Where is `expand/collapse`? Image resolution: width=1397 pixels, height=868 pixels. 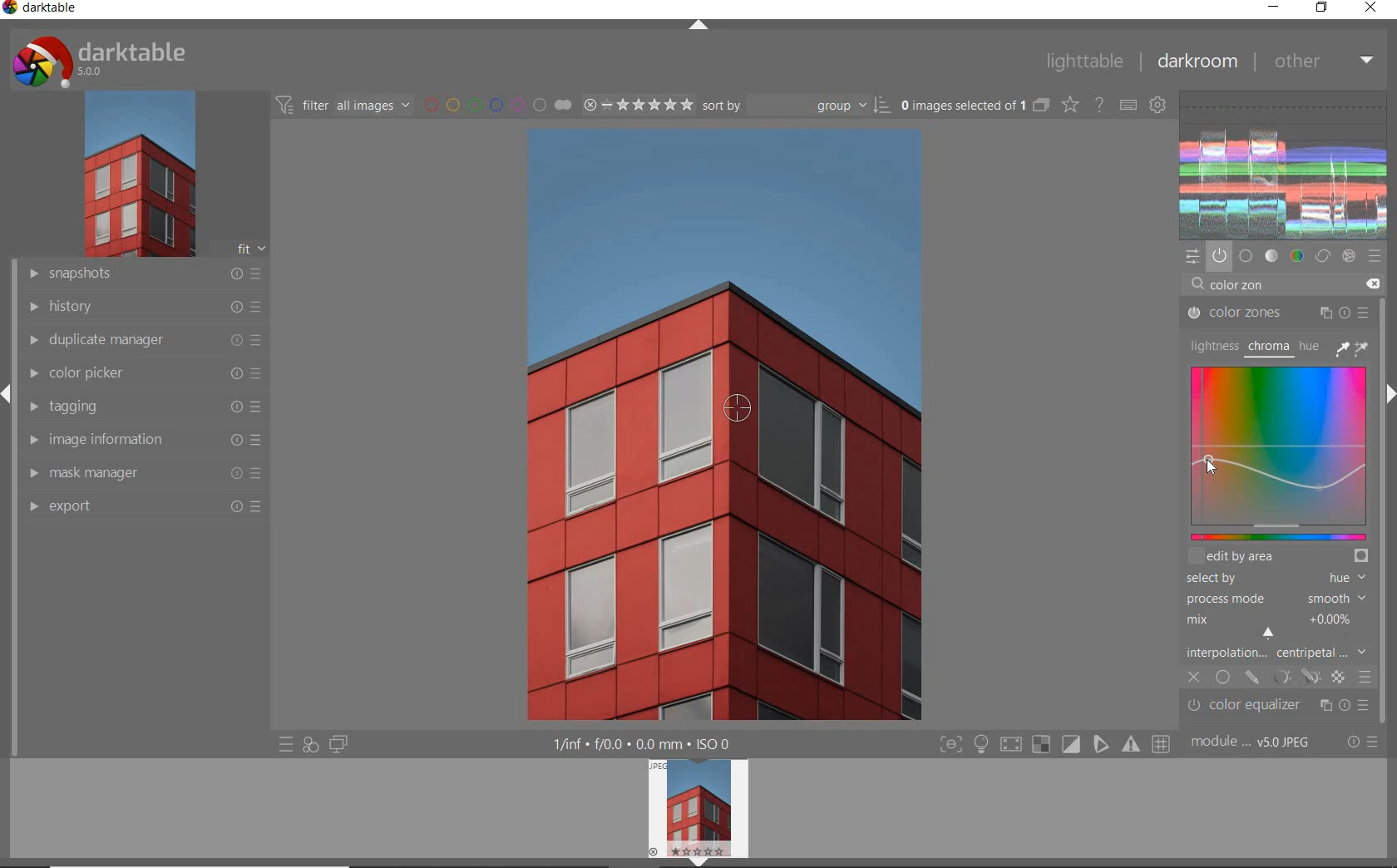
expand/collapse is located at coordinates (698, 861).